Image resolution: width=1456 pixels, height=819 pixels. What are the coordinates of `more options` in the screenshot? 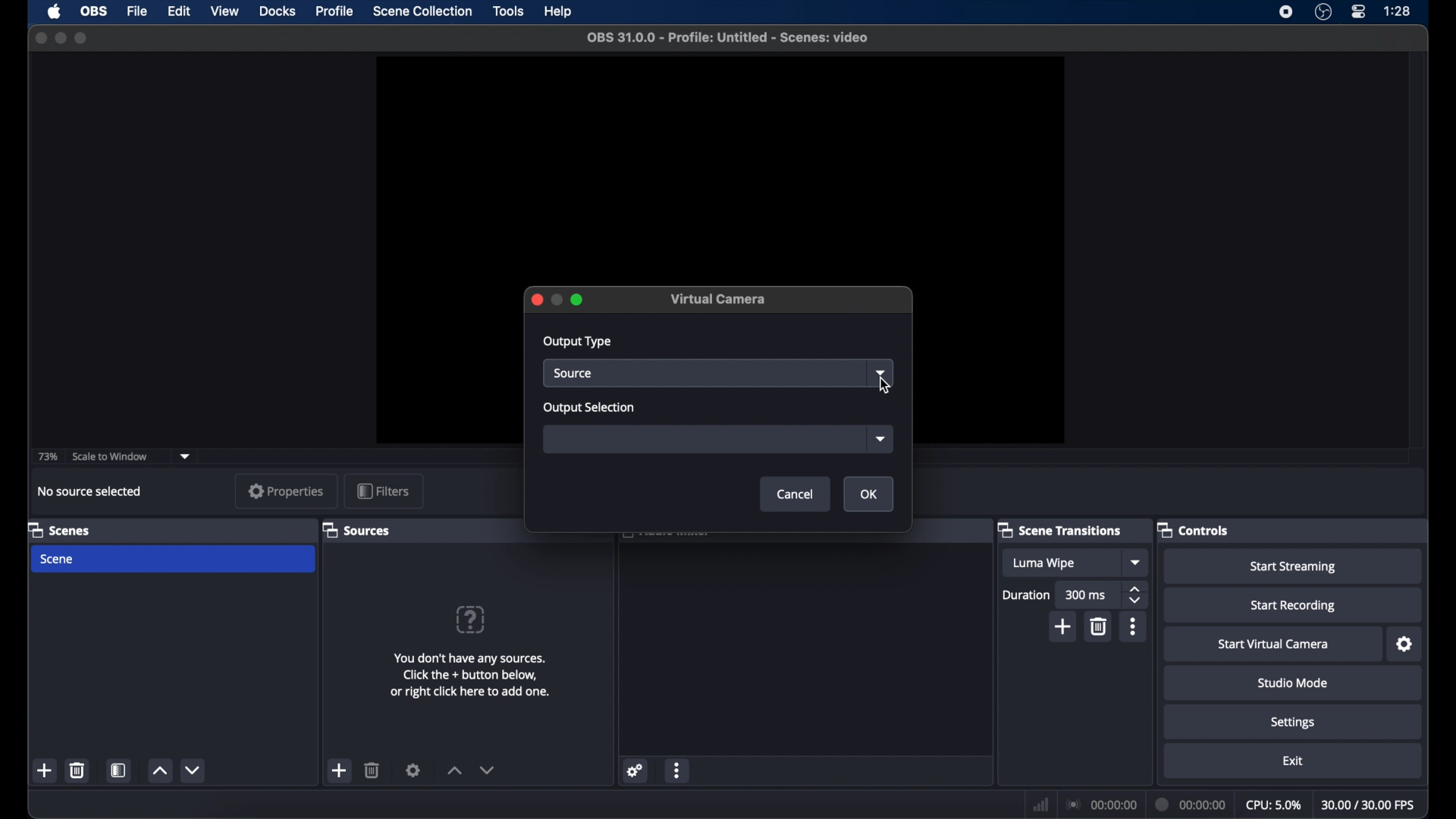 It's located at (1132, 626).